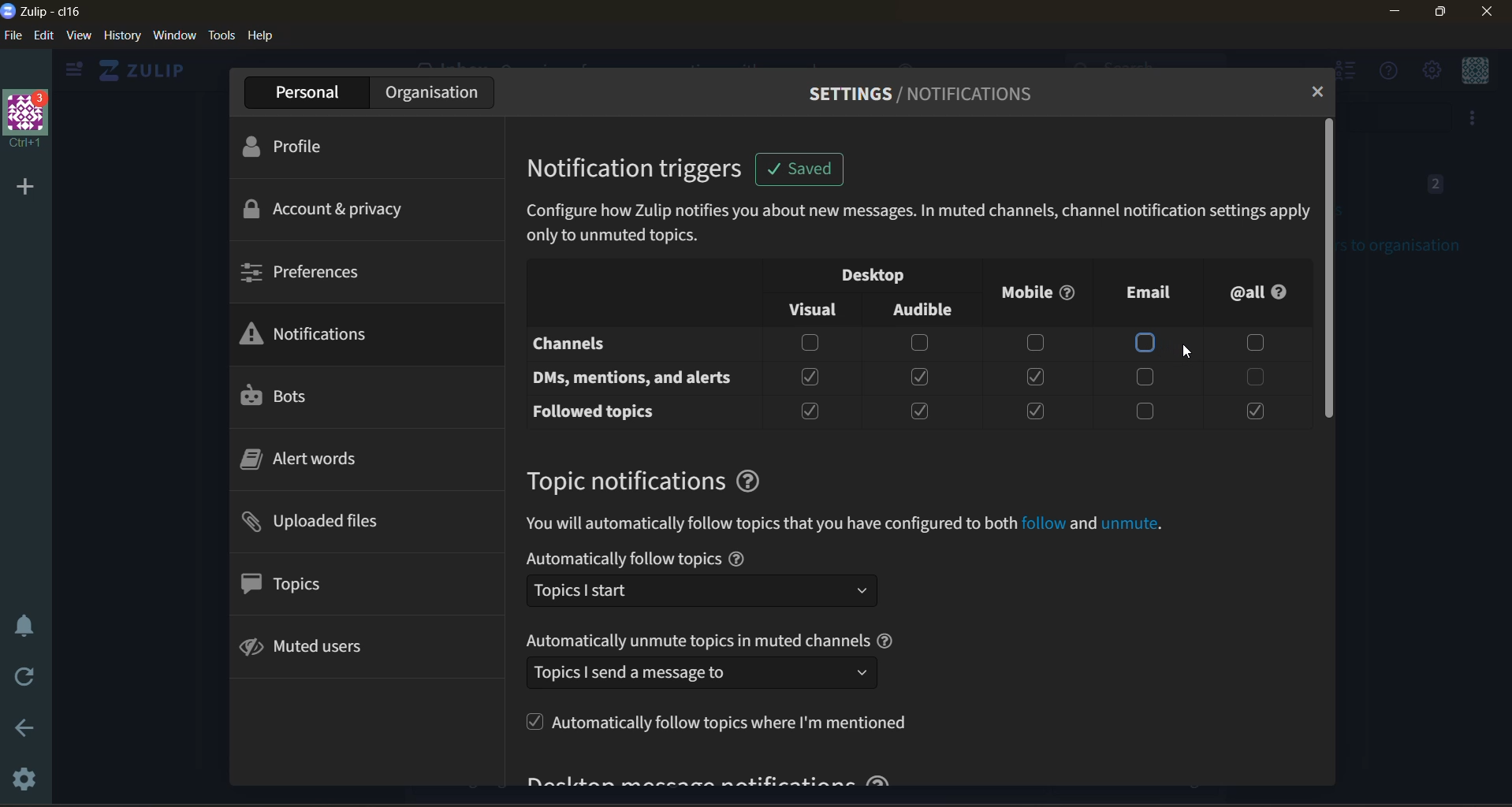  Describe the element at coordinates (702, 590) in the screenshot. I see `select follow topic` at that location.